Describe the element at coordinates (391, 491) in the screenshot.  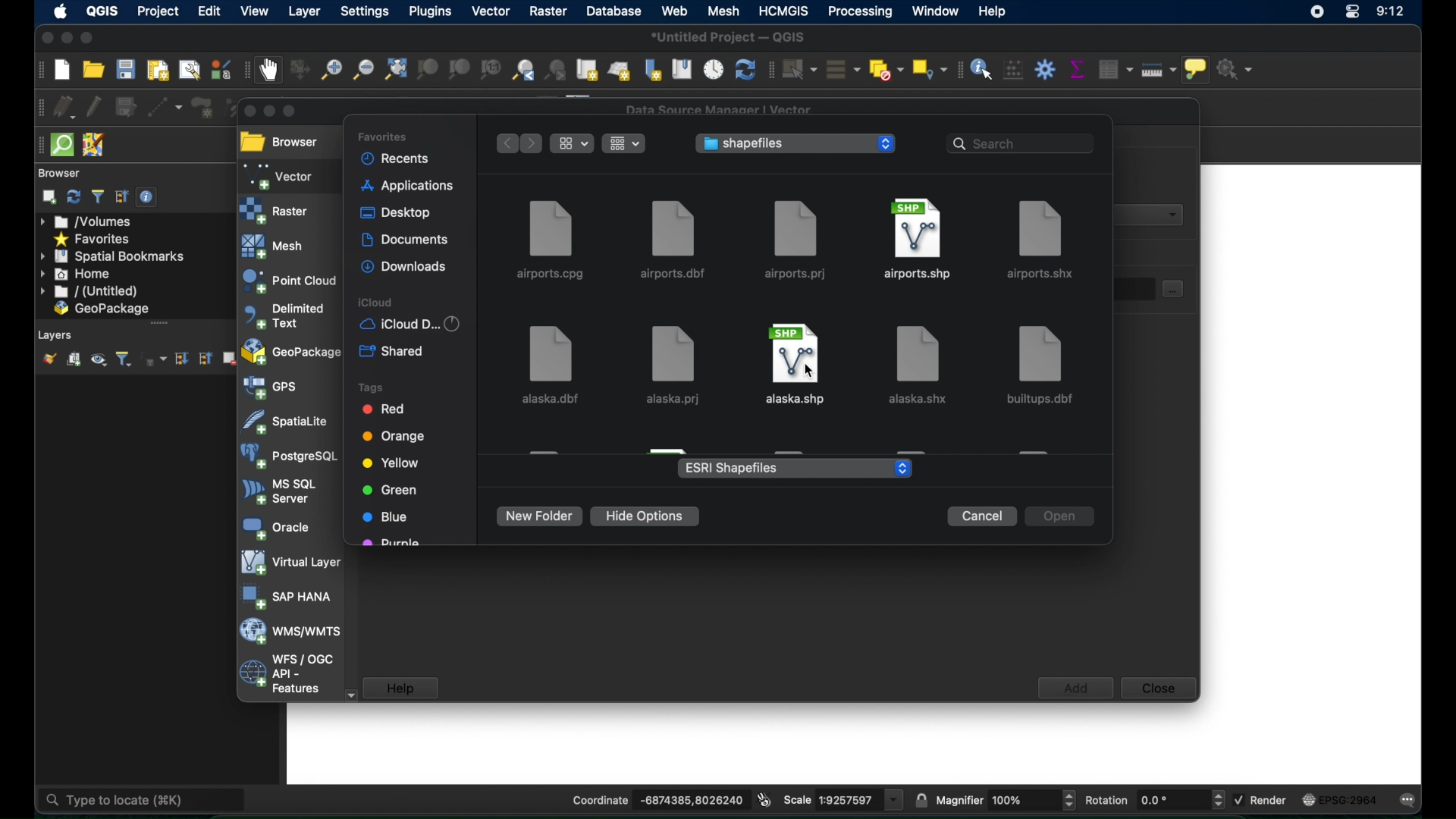
I see `green` at that location.